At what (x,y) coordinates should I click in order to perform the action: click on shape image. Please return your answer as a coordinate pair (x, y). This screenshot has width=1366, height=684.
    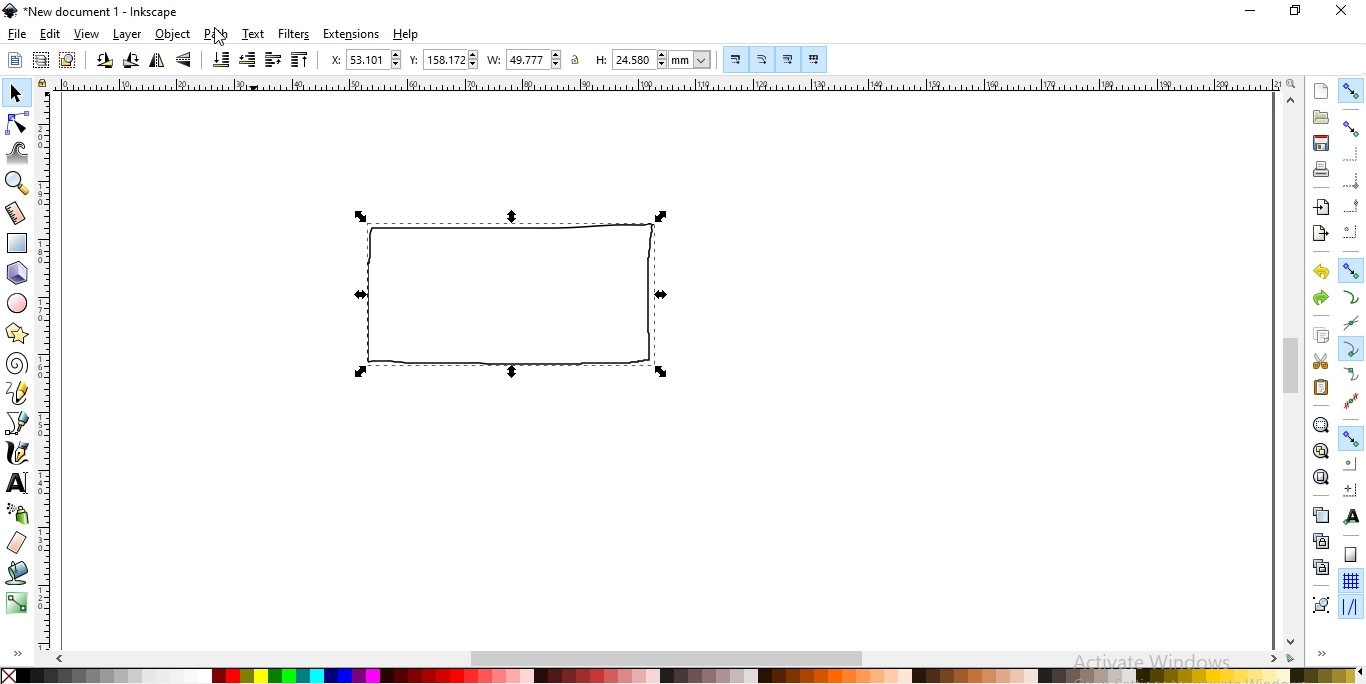
    Looking at the image, I should click on (520, 292).